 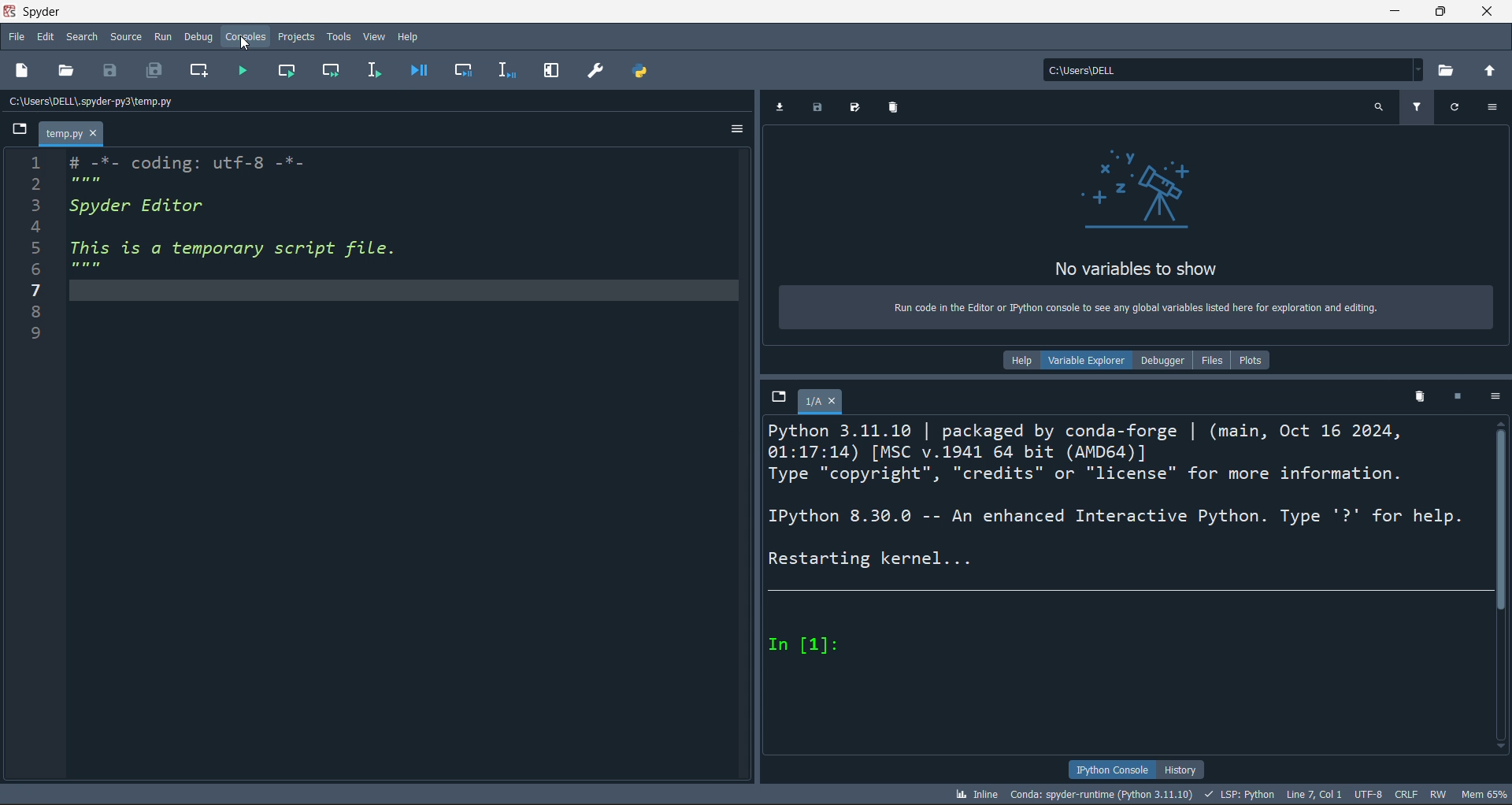 I want to click on conda: spyder-runtime (python 3.11.10), so click(x=1100, y=795).